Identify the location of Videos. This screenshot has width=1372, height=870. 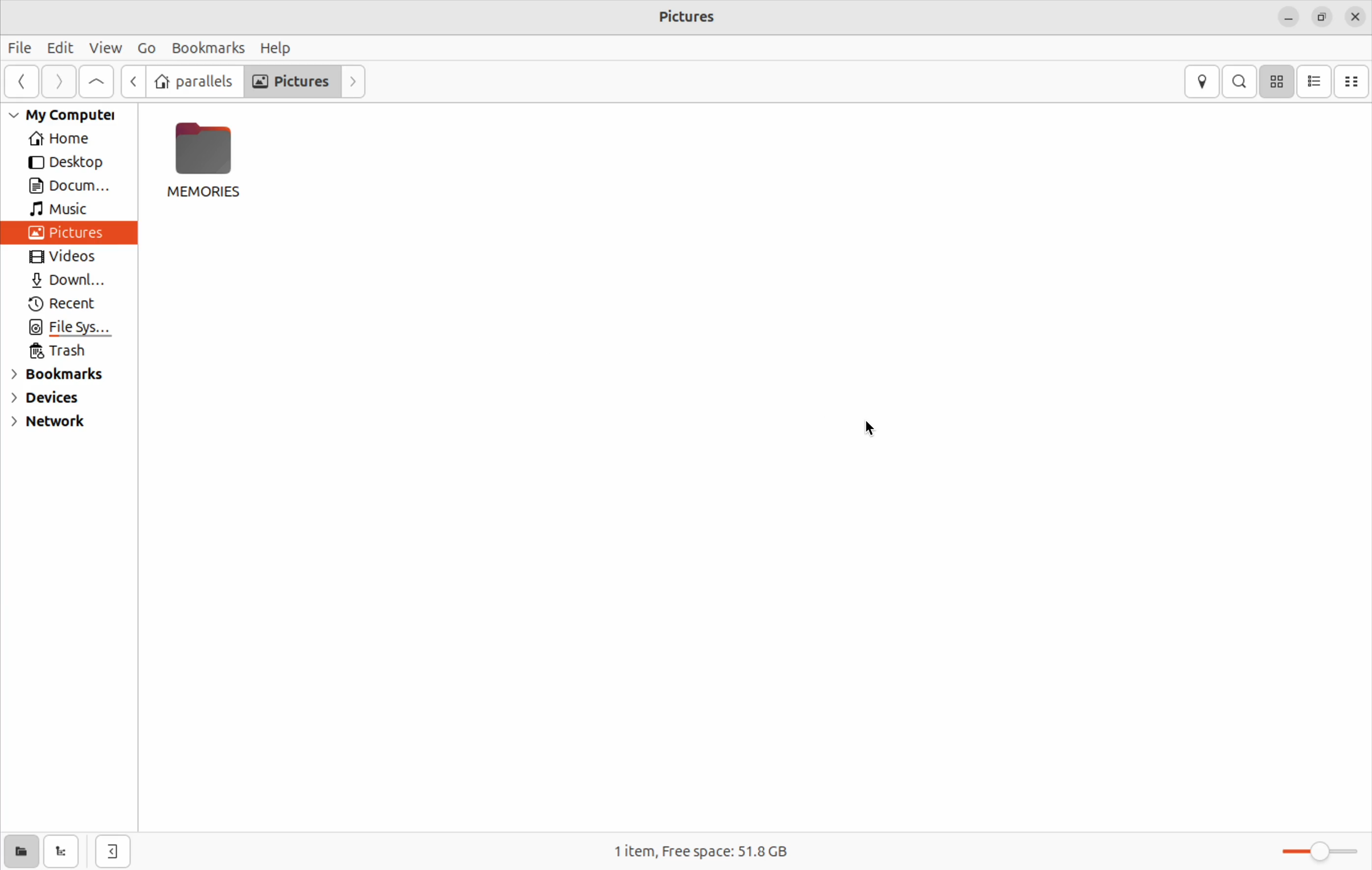
(64, 259).